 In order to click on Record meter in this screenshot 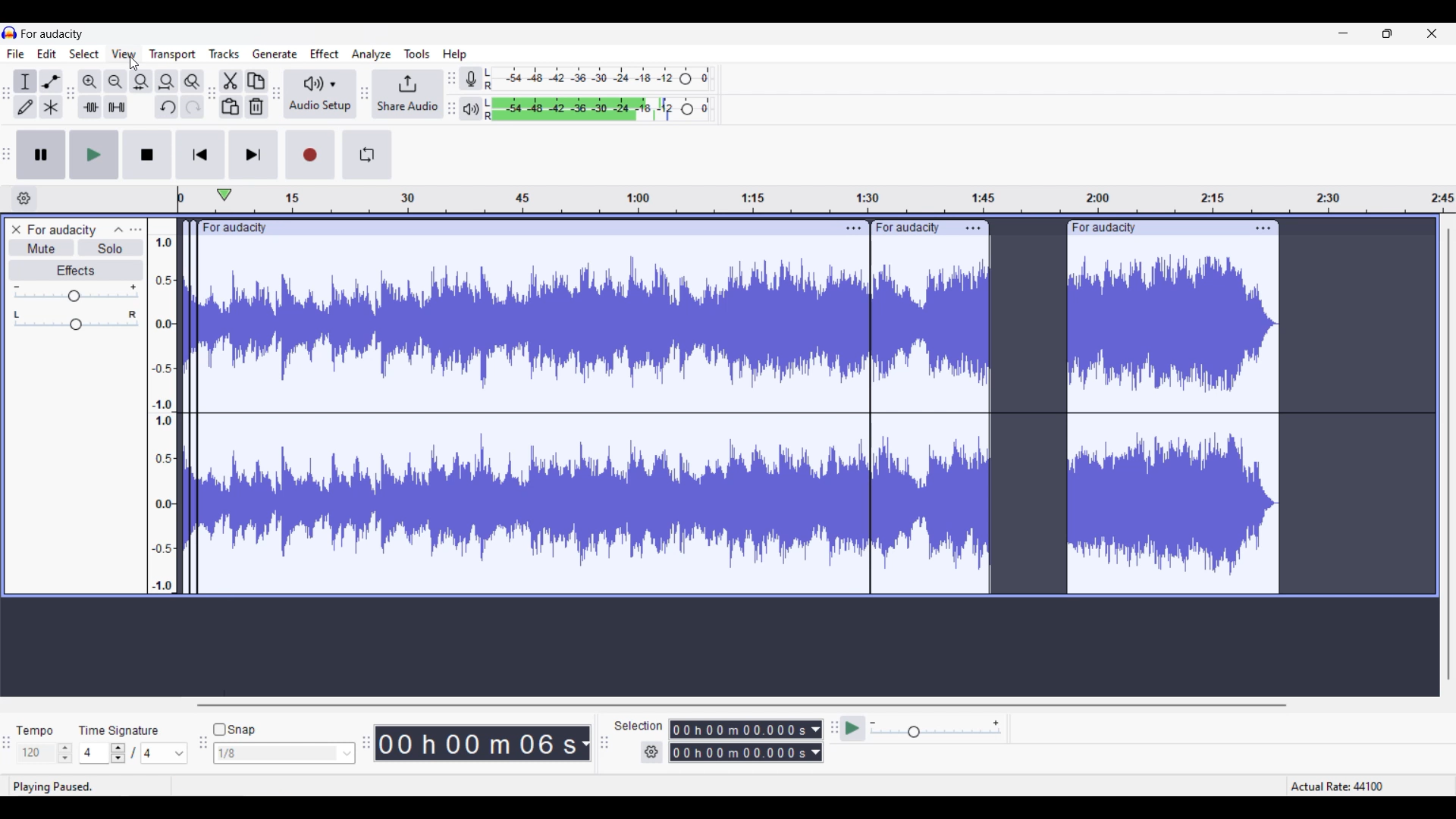, I will do `click(471, 78)`.